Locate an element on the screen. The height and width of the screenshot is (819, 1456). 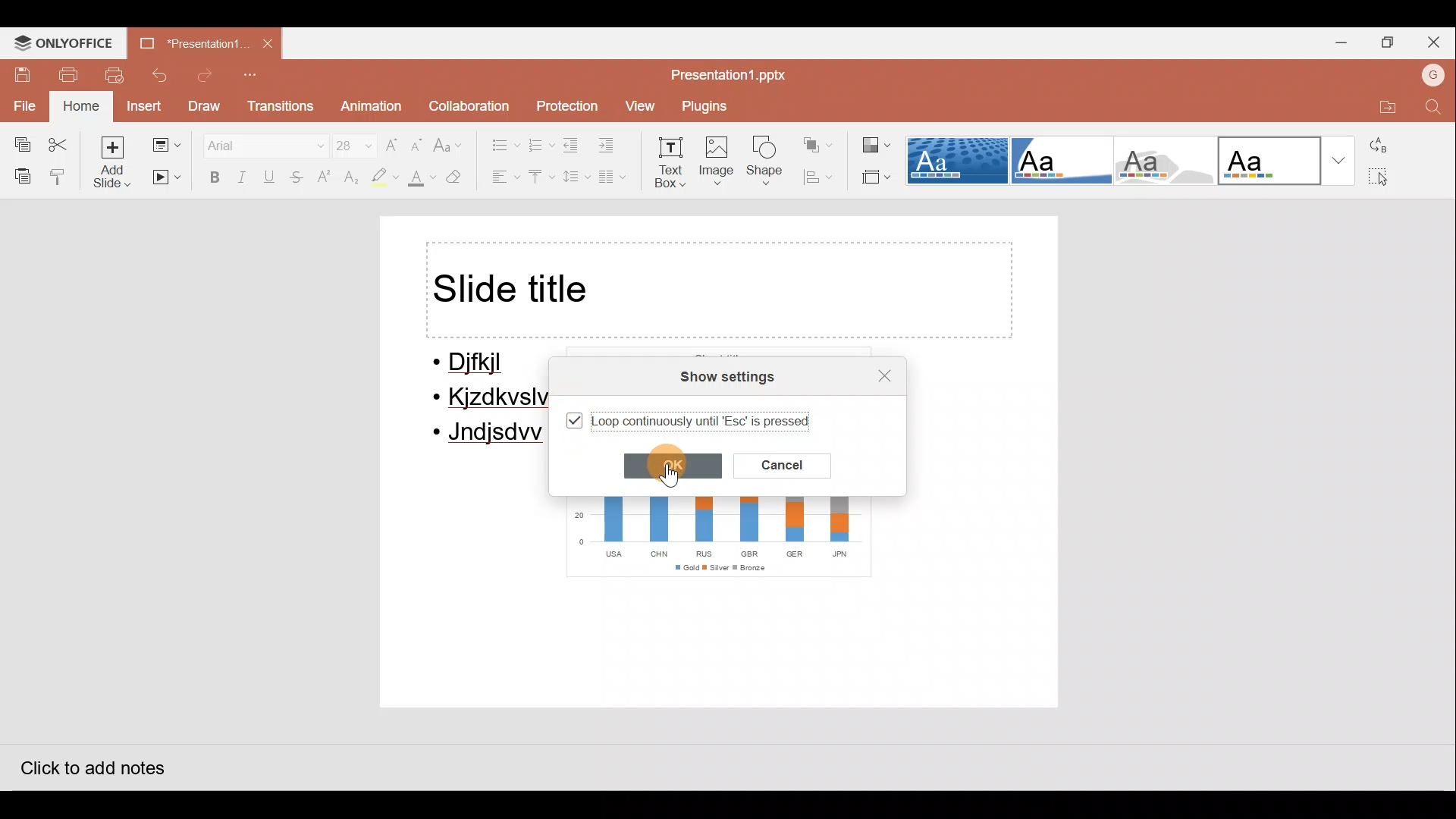
Chart is located at coordinates (716, 538).